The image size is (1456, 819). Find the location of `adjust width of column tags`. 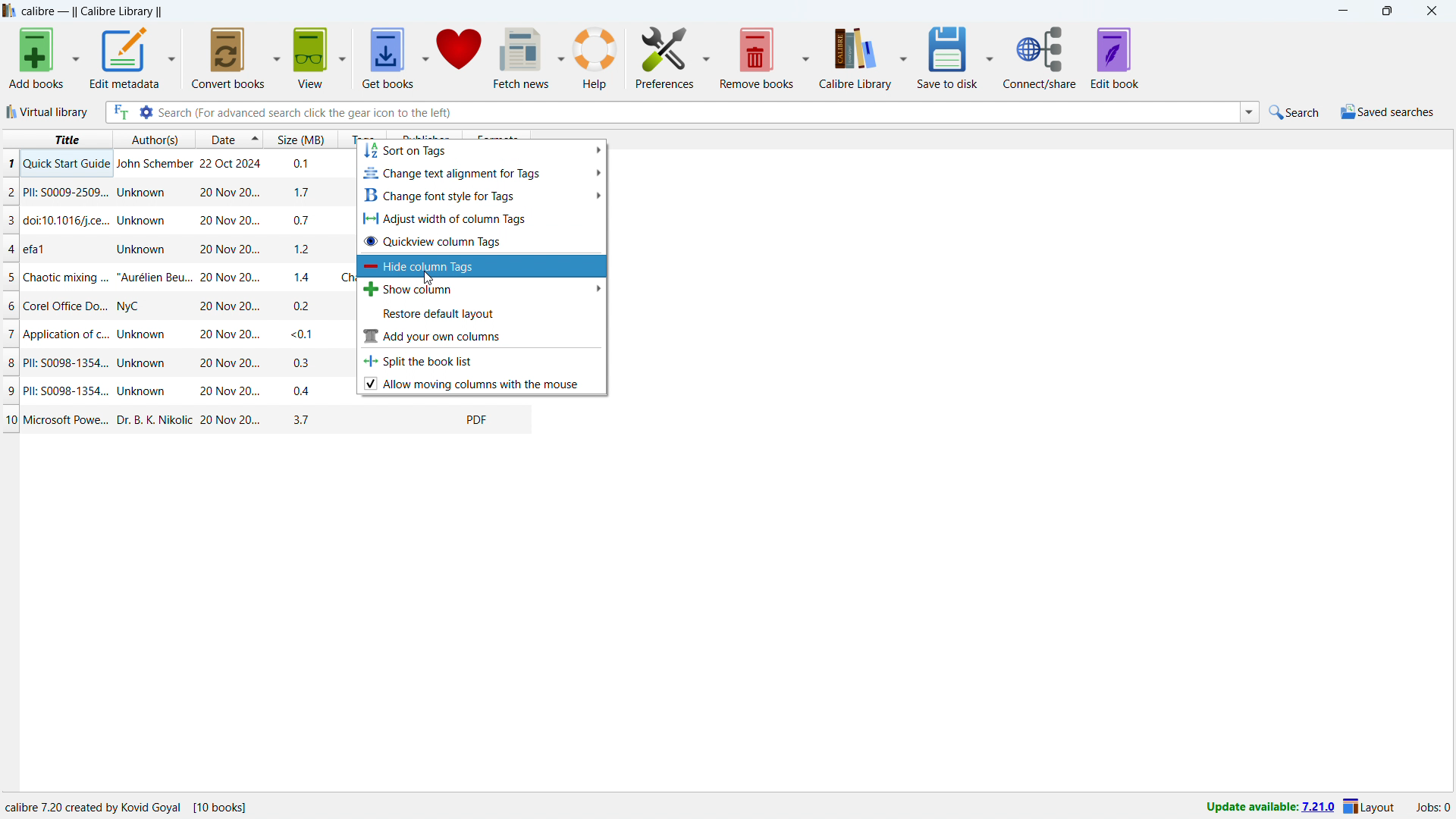

adjust width of column tags is located at coordinates (482, 216).